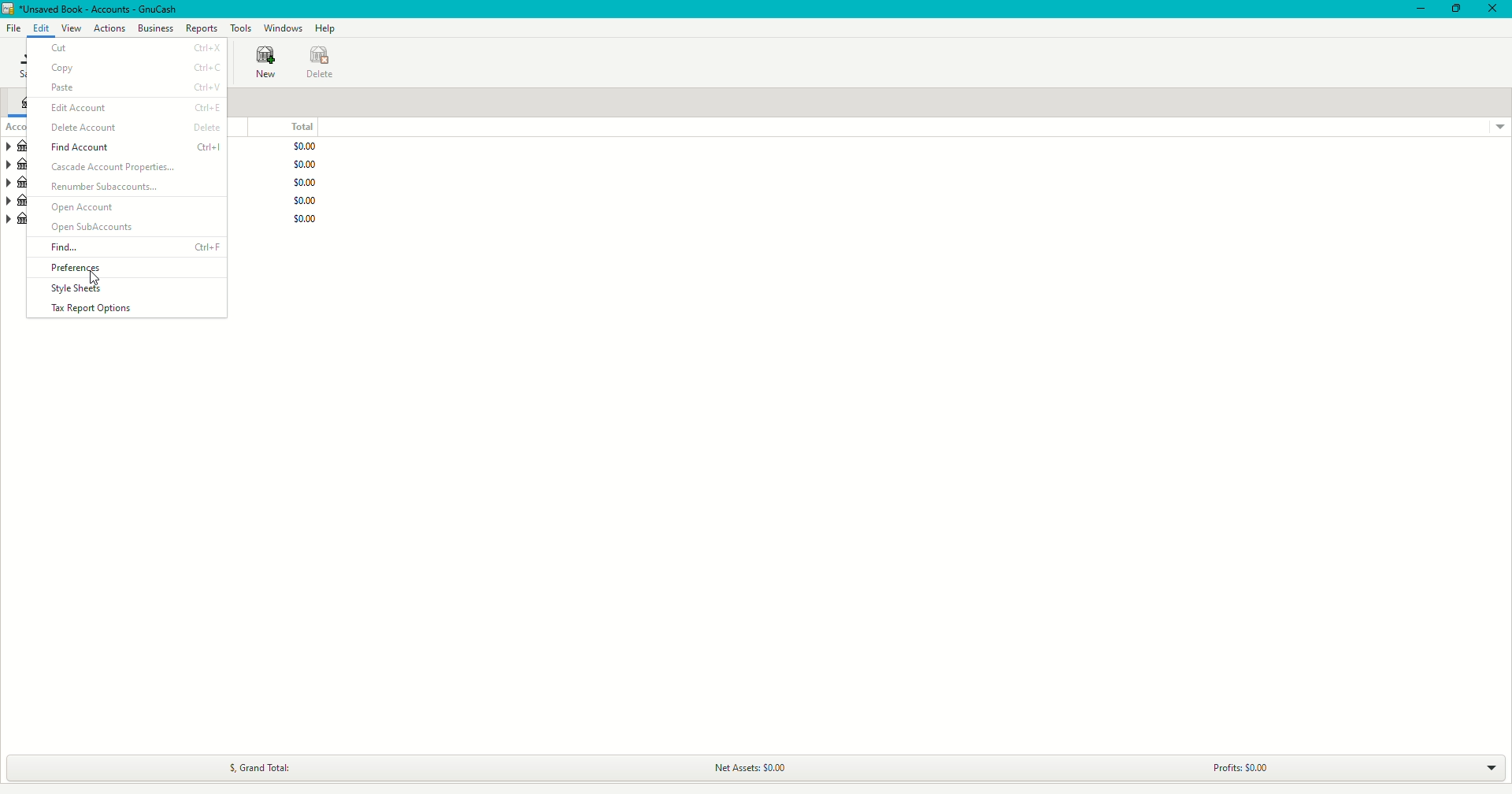 This screenshot has height=794, width=1512. I want to click on Net Assets, so click(752, 767).